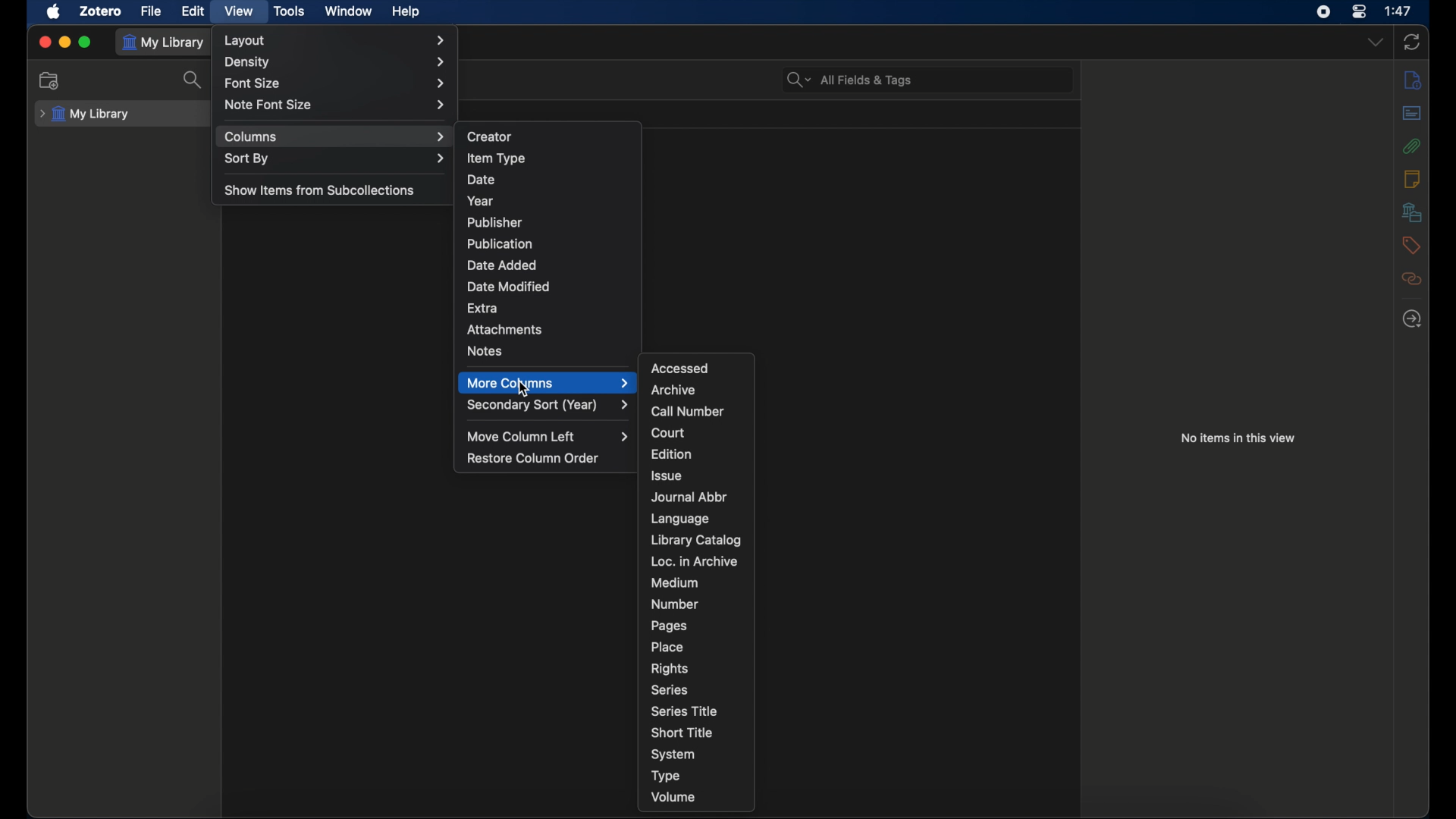  I want to click on extra, so click(483, 307).